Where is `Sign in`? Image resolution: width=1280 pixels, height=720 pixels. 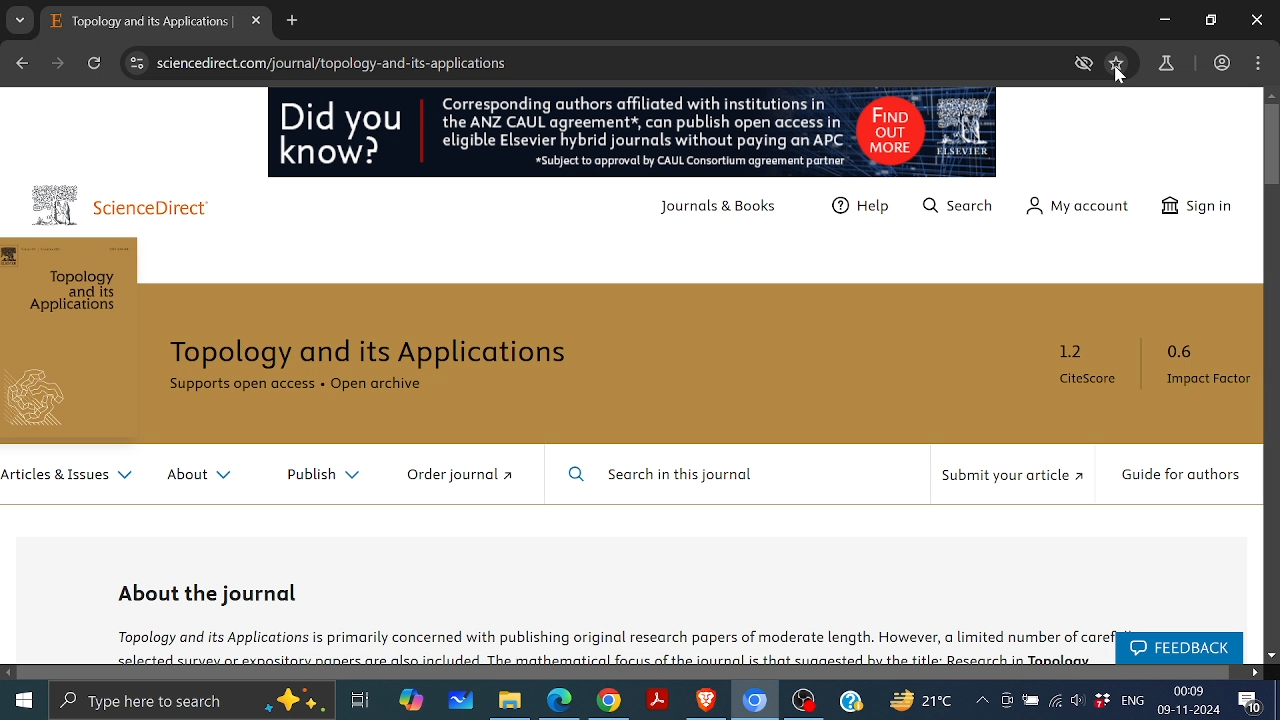 Sign in is located at coordinates (1204, 206).